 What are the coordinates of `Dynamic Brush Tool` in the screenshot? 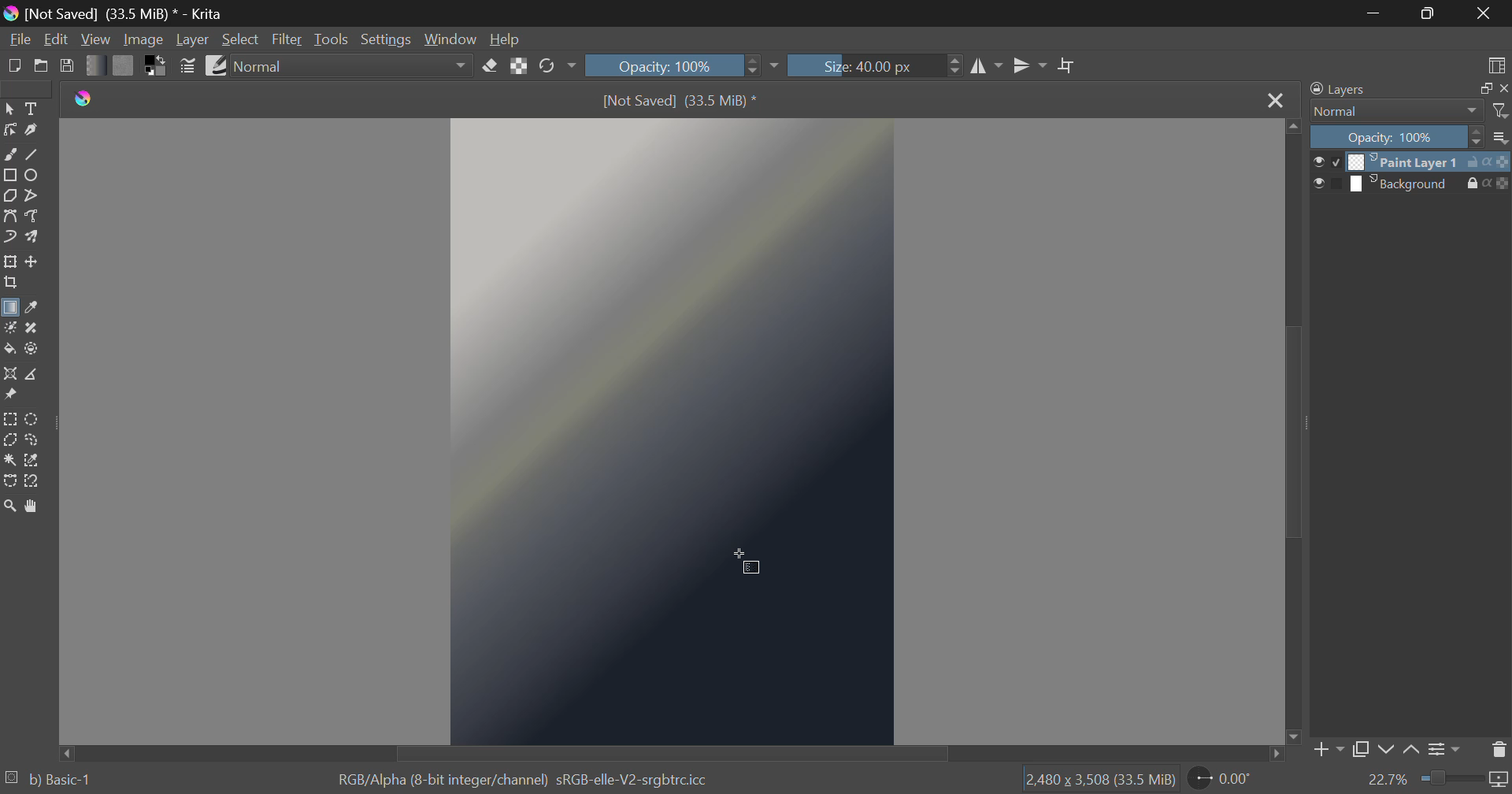 It's located at (9, 238).